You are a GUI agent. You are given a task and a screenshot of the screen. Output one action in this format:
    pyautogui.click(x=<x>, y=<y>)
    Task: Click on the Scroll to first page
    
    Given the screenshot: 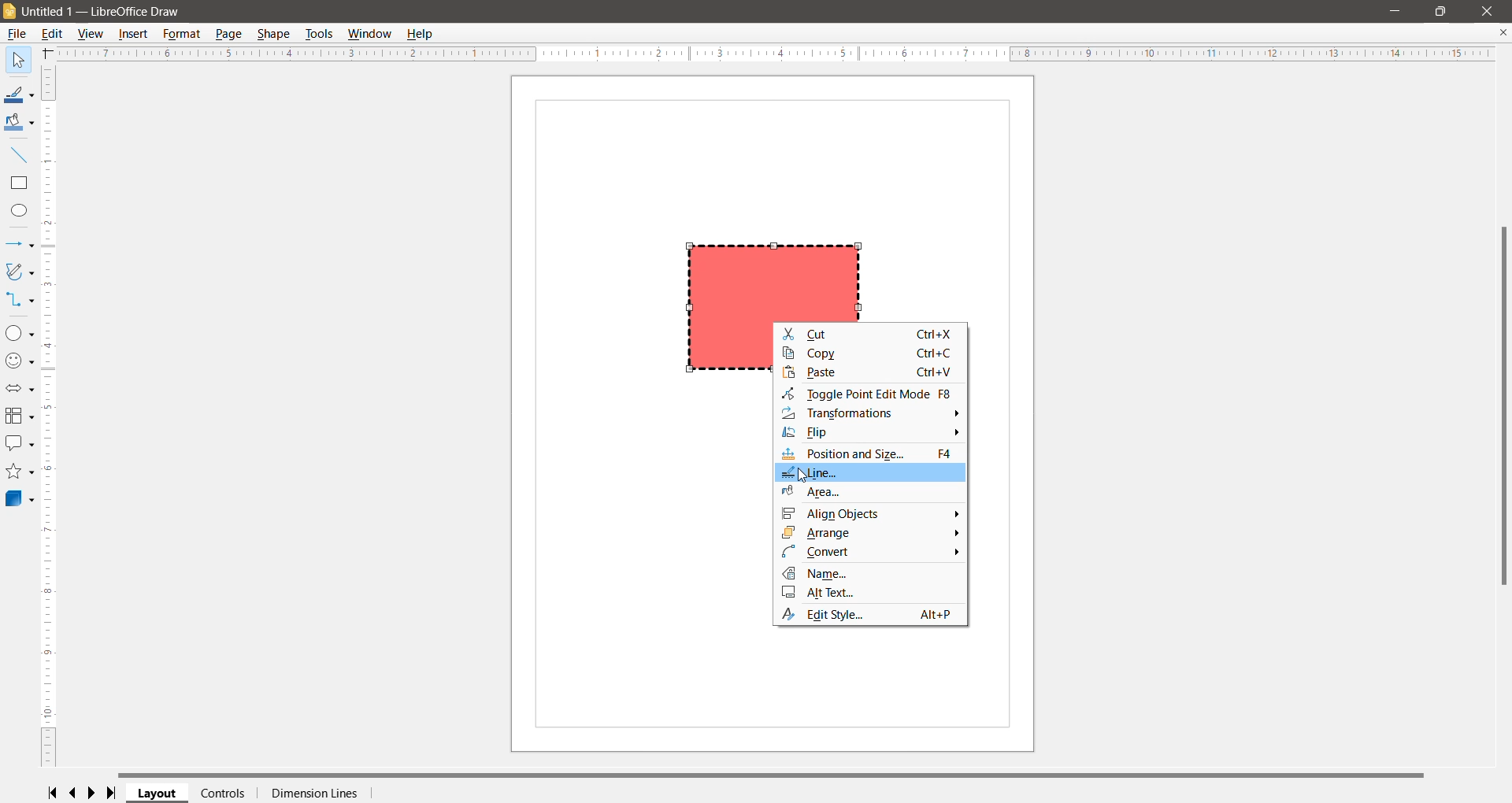 What is the action you would take?
    pyautogui.click(x=54, y=793)
    